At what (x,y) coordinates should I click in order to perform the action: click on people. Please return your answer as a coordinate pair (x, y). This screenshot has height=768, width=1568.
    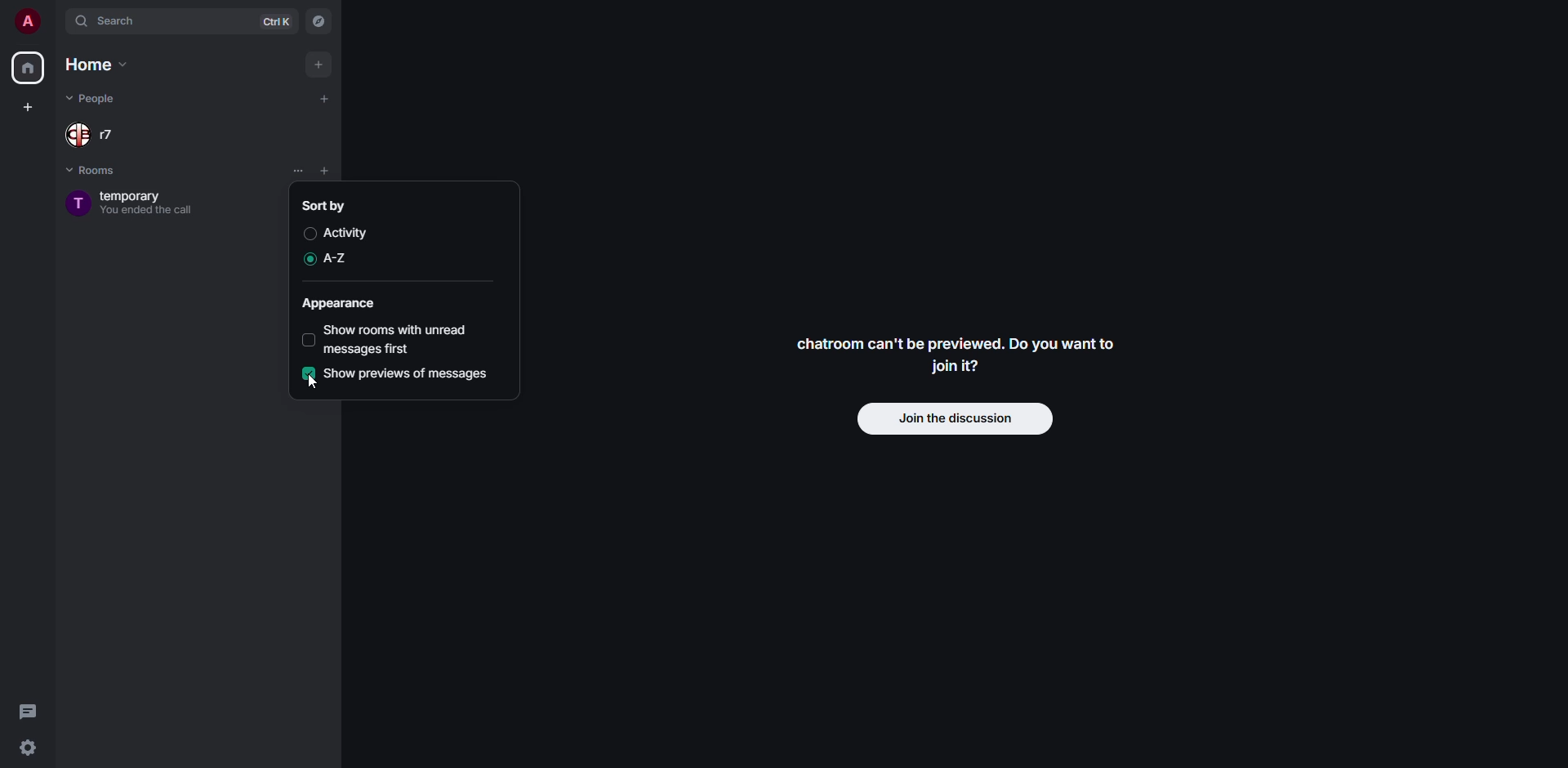
    Looking at the image, I should click on (96, 136).